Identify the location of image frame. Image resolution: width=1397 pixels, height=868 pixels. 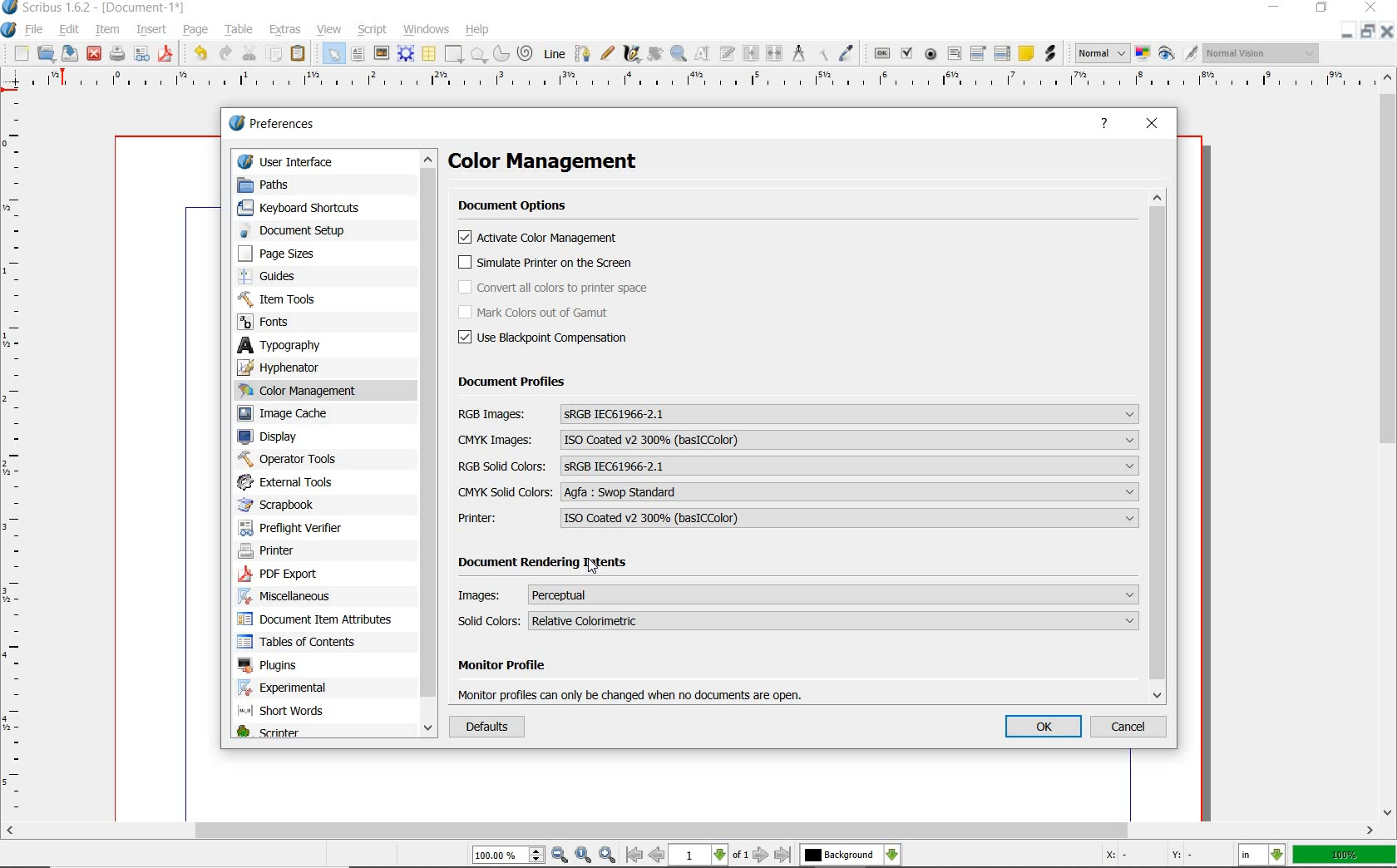
(380, 52).